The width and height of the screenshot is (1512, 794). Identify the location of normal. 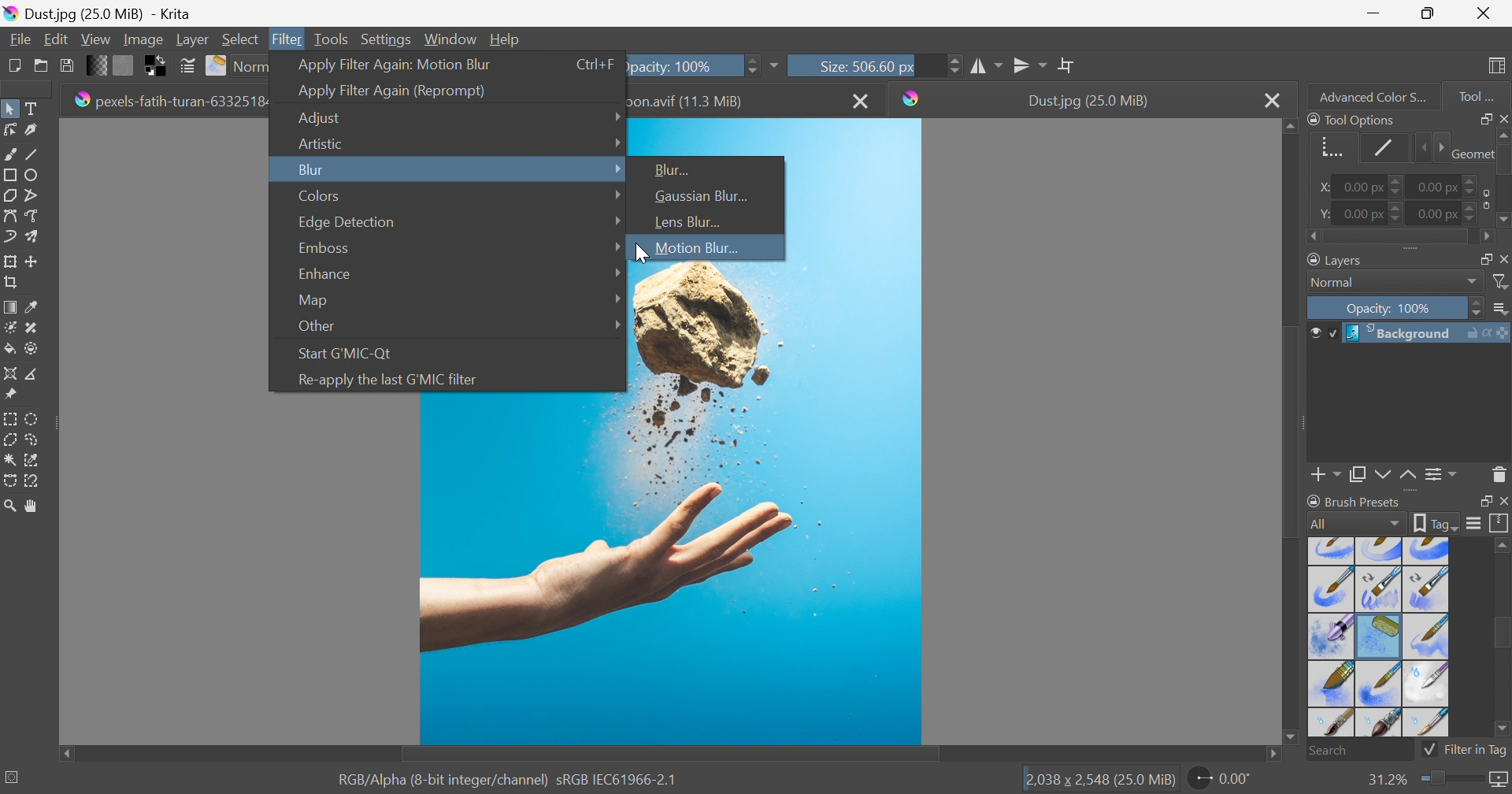
(250, 66).